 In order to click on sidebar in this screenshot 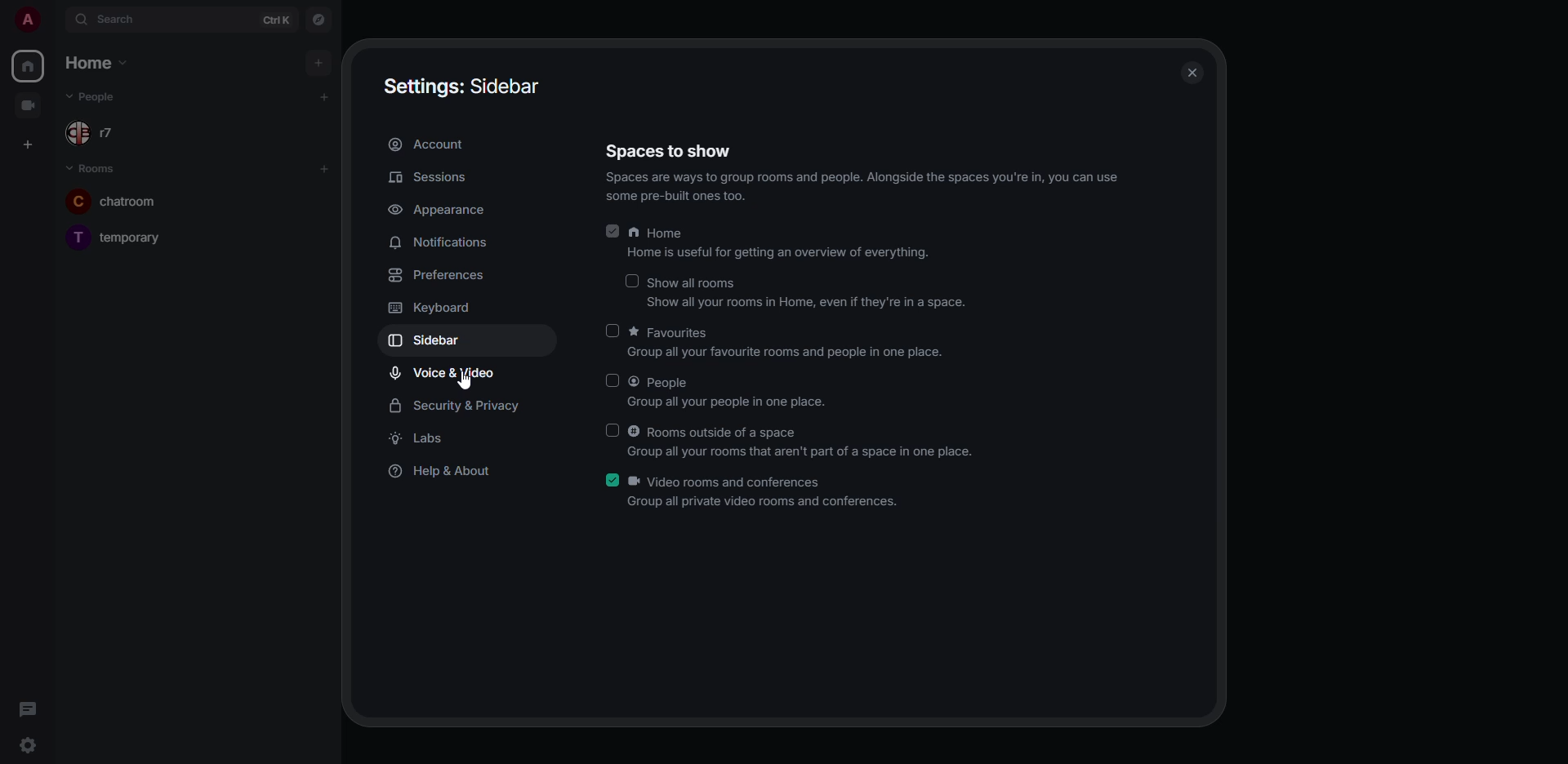, I will do `click(432, 340)`.